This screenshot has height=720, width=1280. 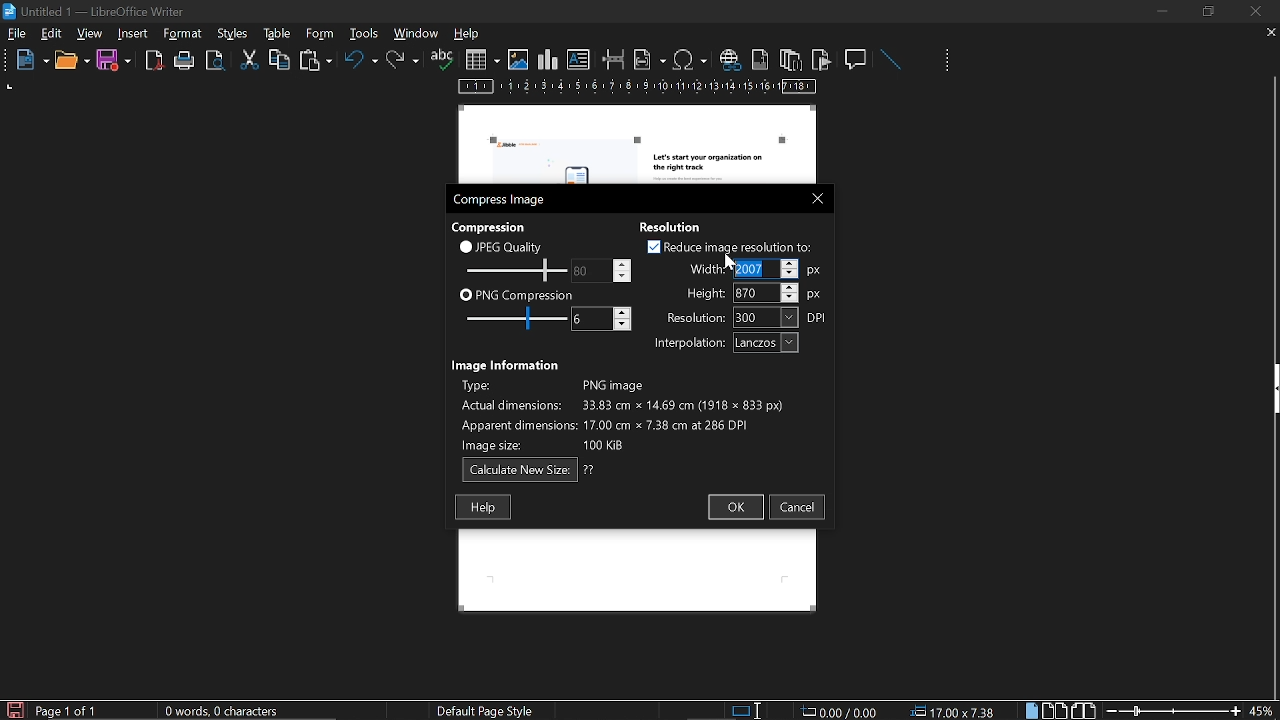 What do you see at coordinates (529, 470) in the screenshot?
I see `calculate new size` at bounding box center [529, 470].